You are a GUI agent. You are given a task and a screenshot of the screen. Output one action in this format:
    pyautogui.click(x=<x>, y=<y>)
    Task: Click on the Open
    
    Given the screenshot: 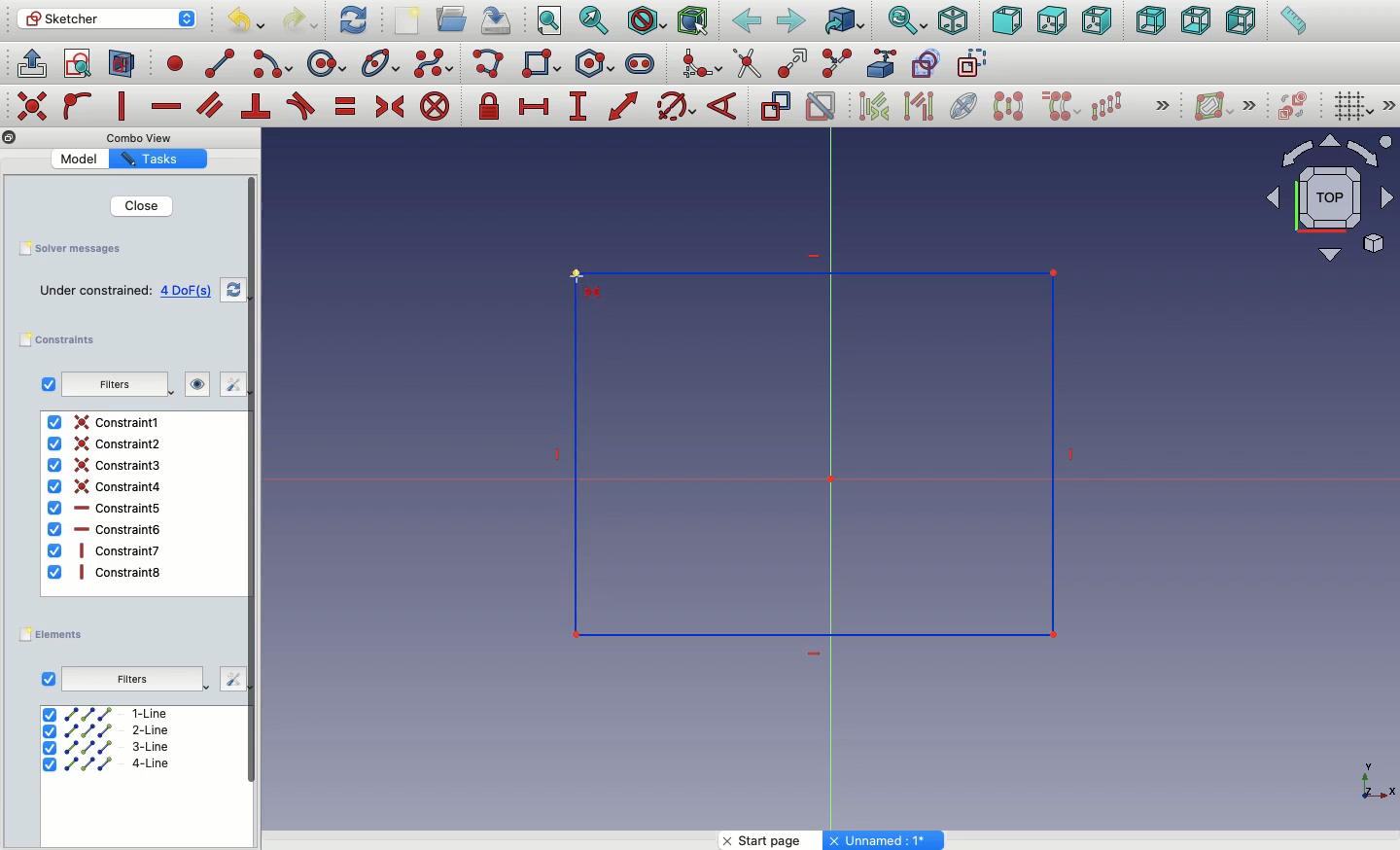 What is the action you would take?
    pyautogui.click(x=454, y=19)
    